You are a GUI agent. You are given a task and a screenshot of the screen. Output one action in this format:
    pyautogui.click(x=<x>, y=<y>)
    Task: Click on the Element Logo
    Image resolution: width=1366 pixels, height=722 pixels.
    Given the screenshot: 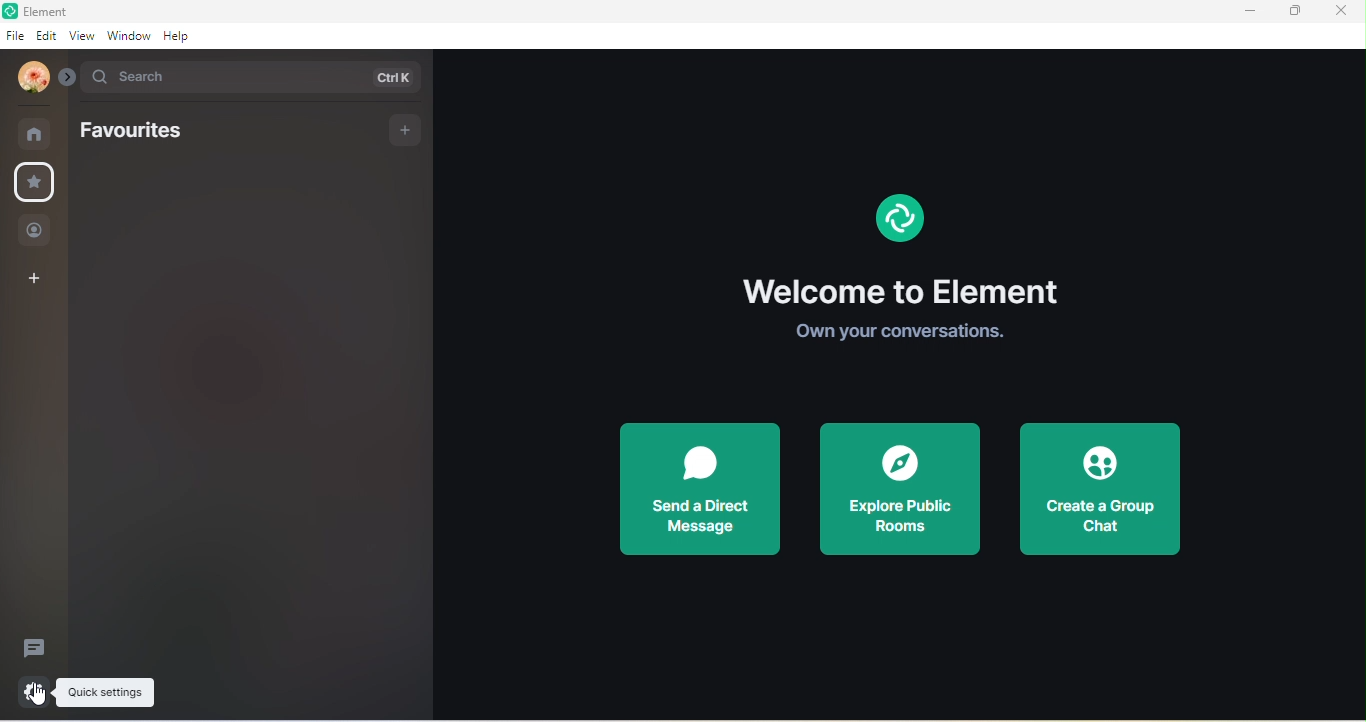 What is the action you would take?
    pyautogui.click(x=912, y=219)
    